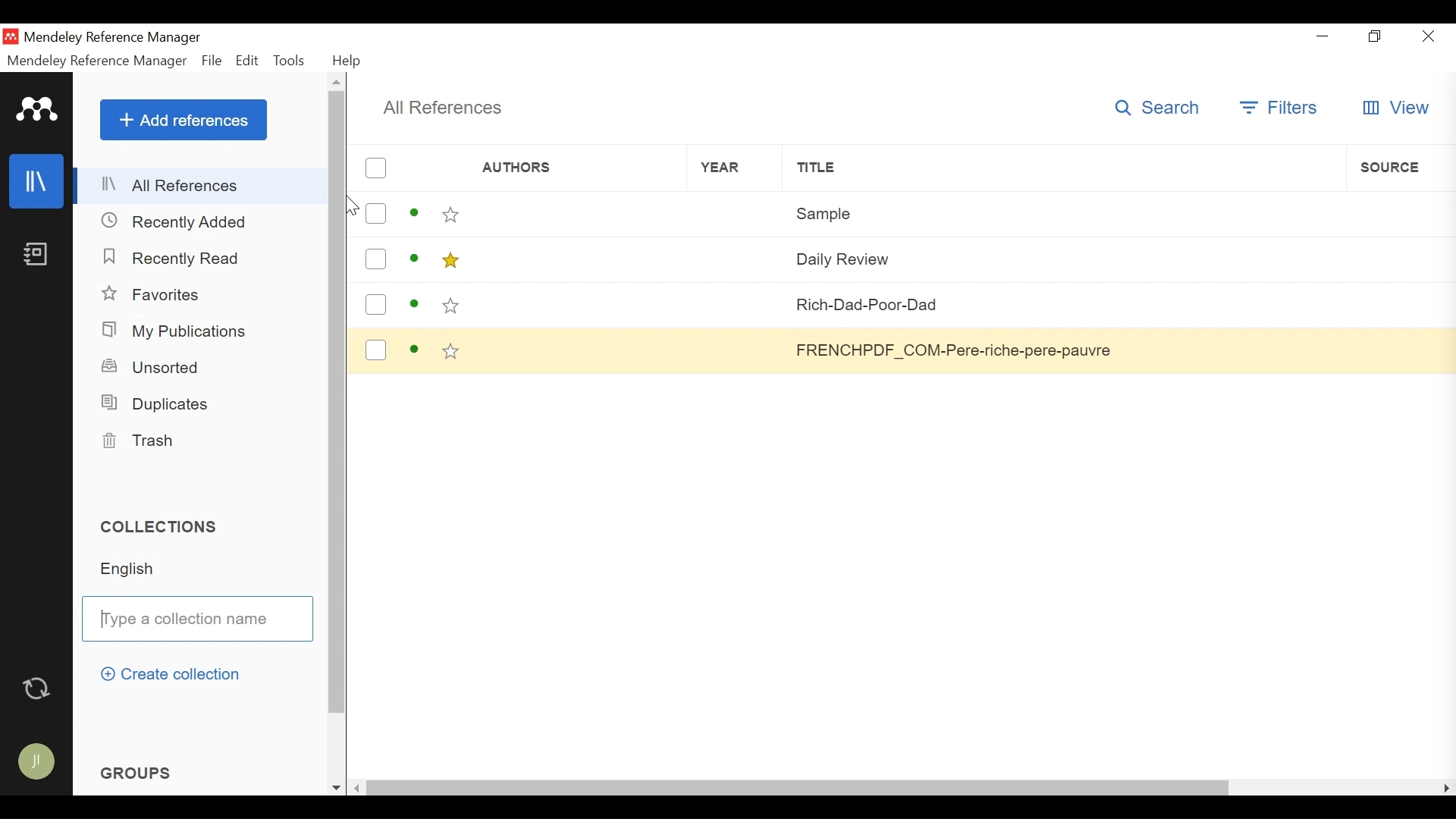  I want to click on Cursor, so click(350, 204).